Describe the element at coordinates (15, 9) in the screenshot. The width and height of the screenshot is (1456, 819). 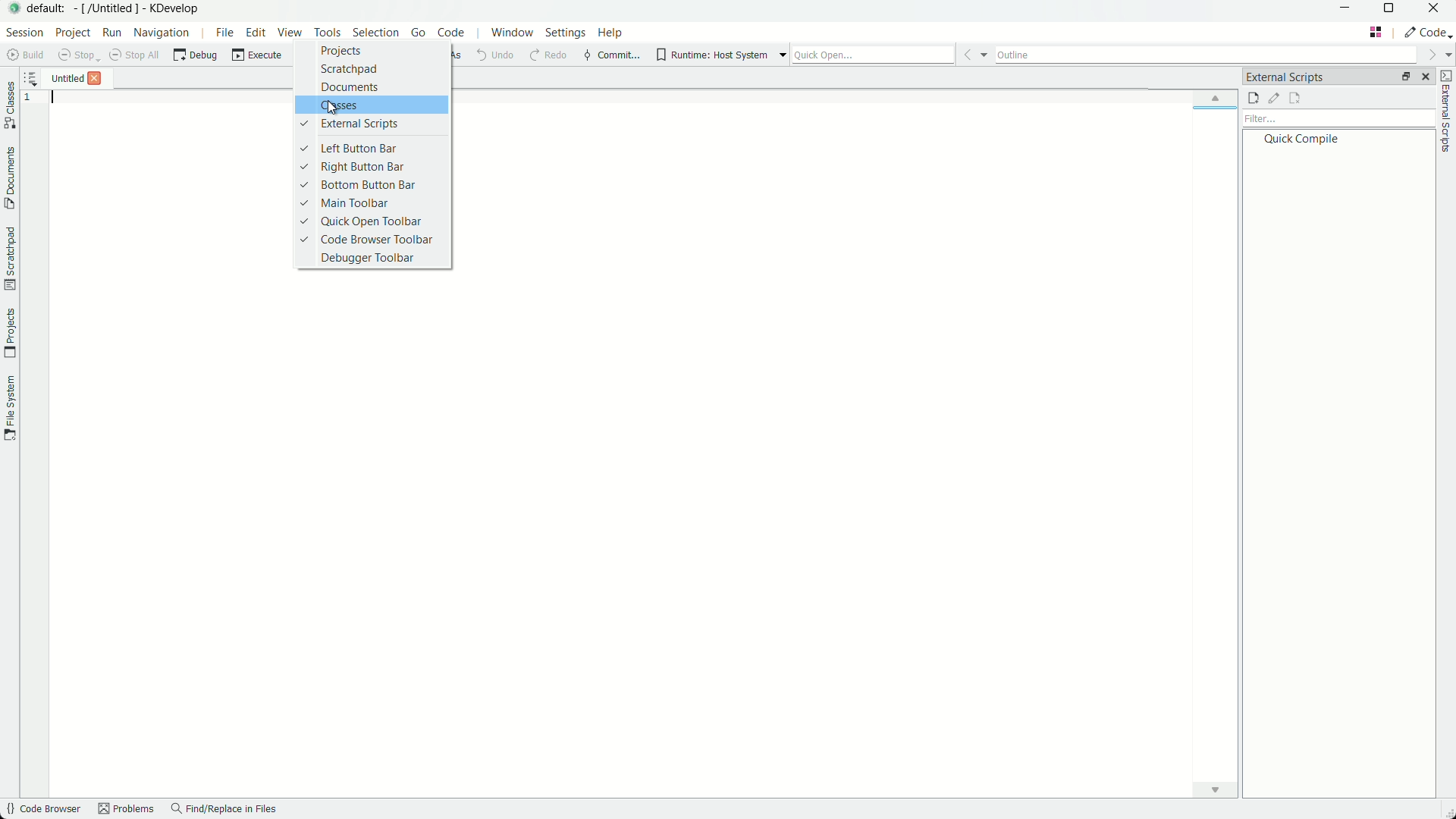
I see `app icon` at that location.